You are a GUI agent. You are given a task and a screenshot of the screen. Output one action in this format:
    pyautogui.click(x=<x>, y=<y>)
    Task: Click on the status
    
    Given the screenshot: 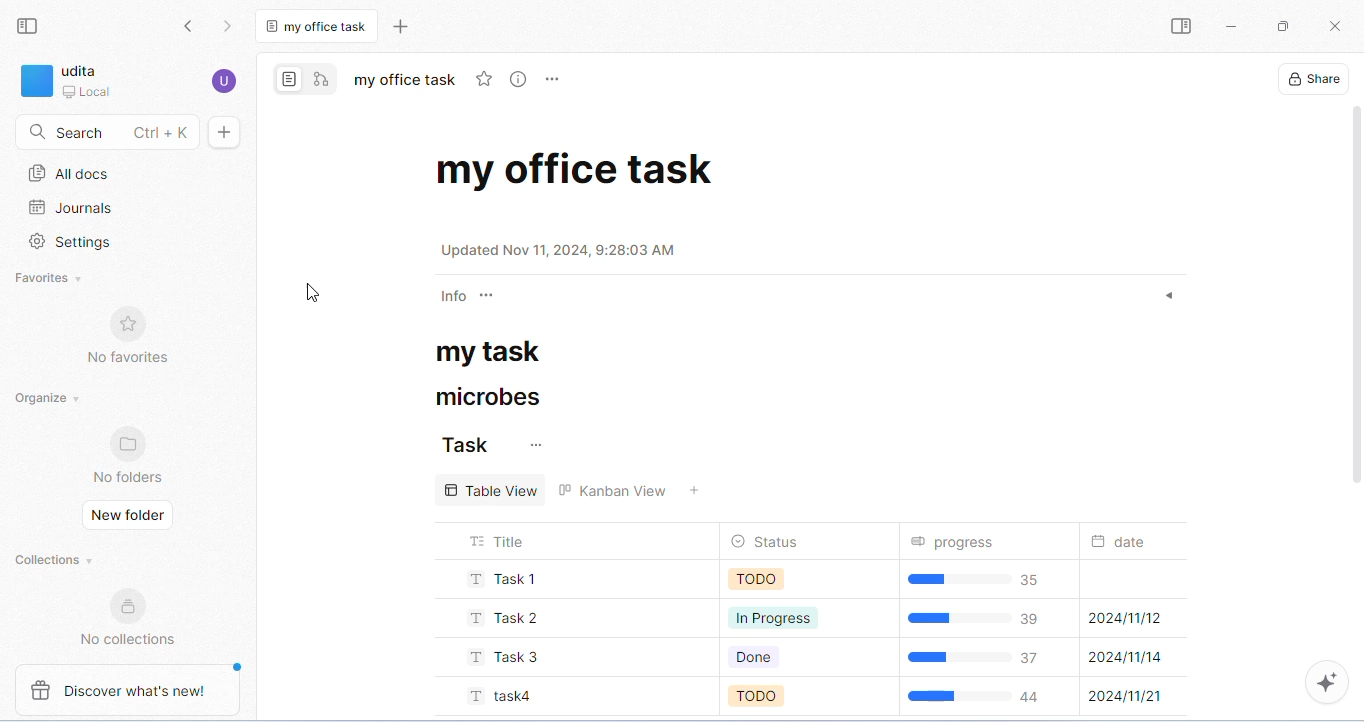 What is the action you would take?
    pyautogui.click(x=772, y=542)
    